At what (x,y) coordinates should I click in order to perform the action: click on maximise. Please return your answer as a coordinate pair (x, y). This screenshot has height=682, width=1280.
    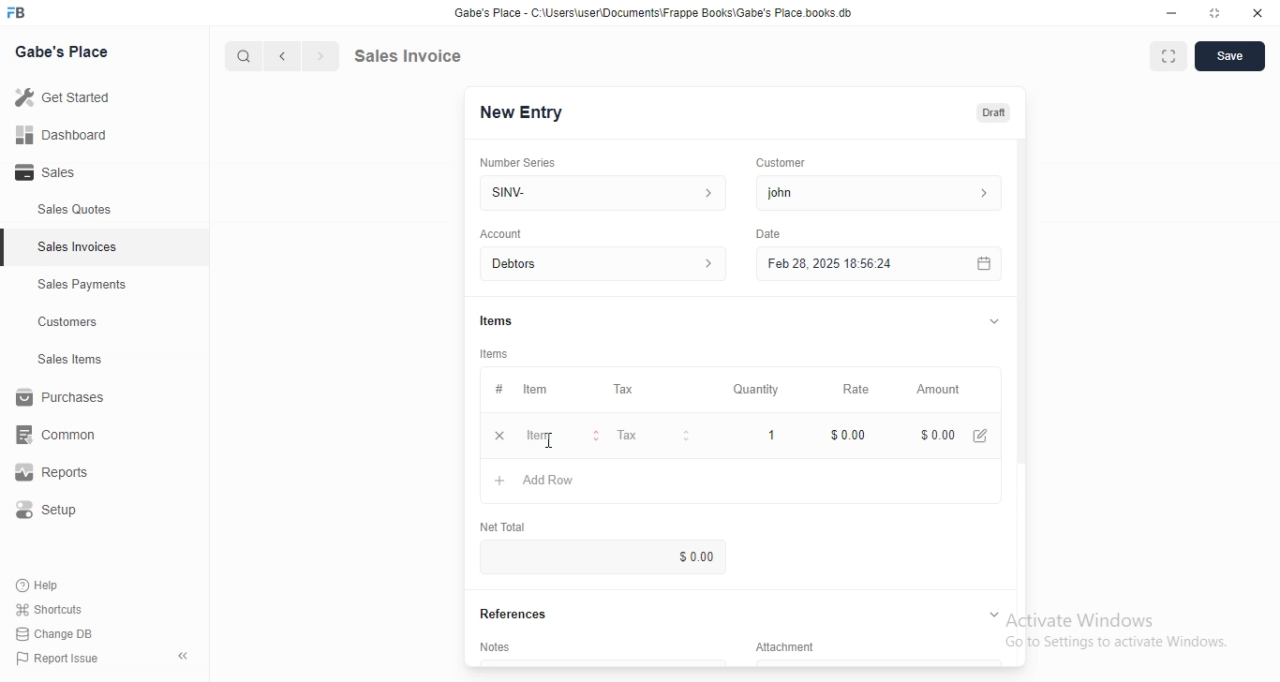
    Looking at the image, I should click on (1163, 54).